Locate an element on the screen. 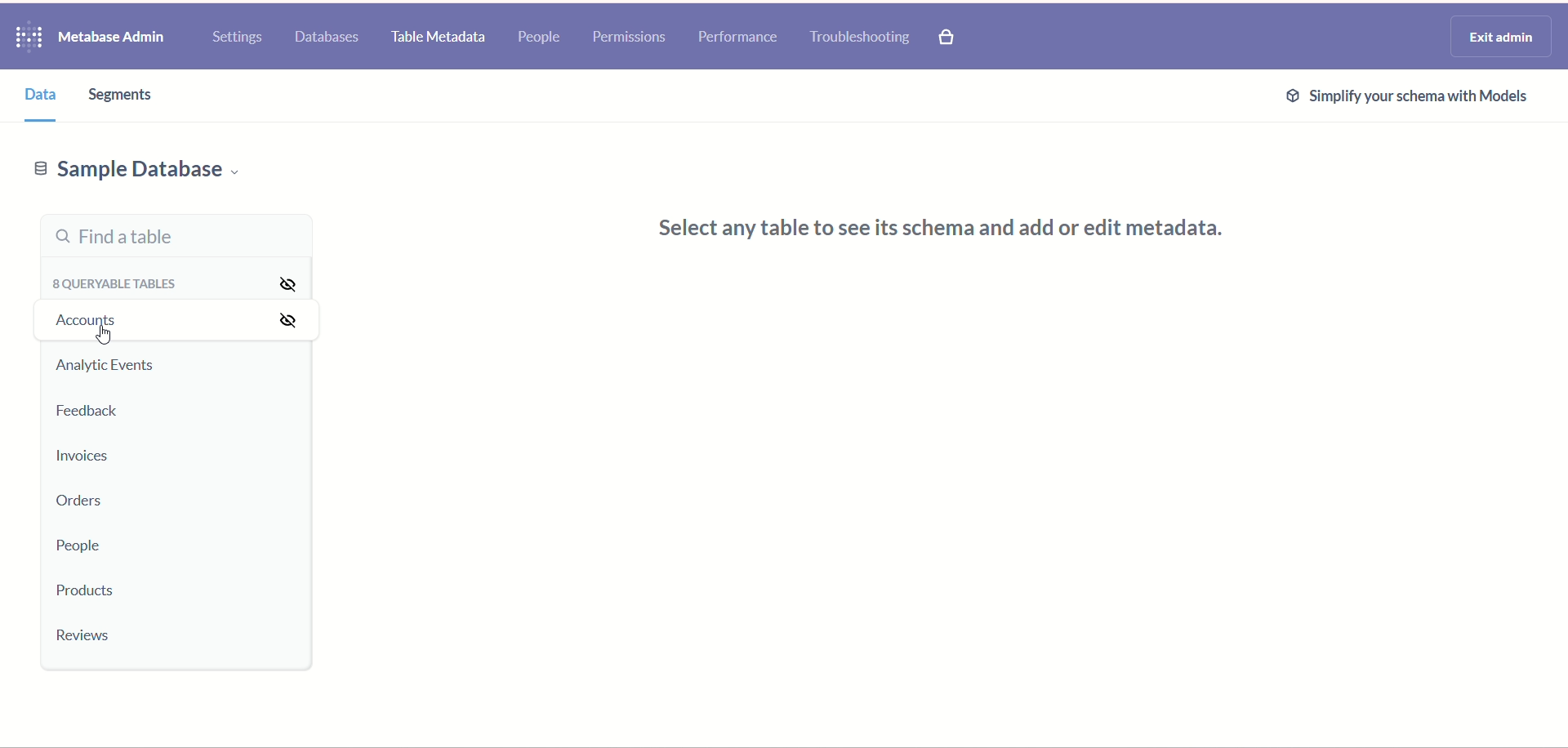 The image size is (1568, 748). find a table is located at coordinates (178, 236).